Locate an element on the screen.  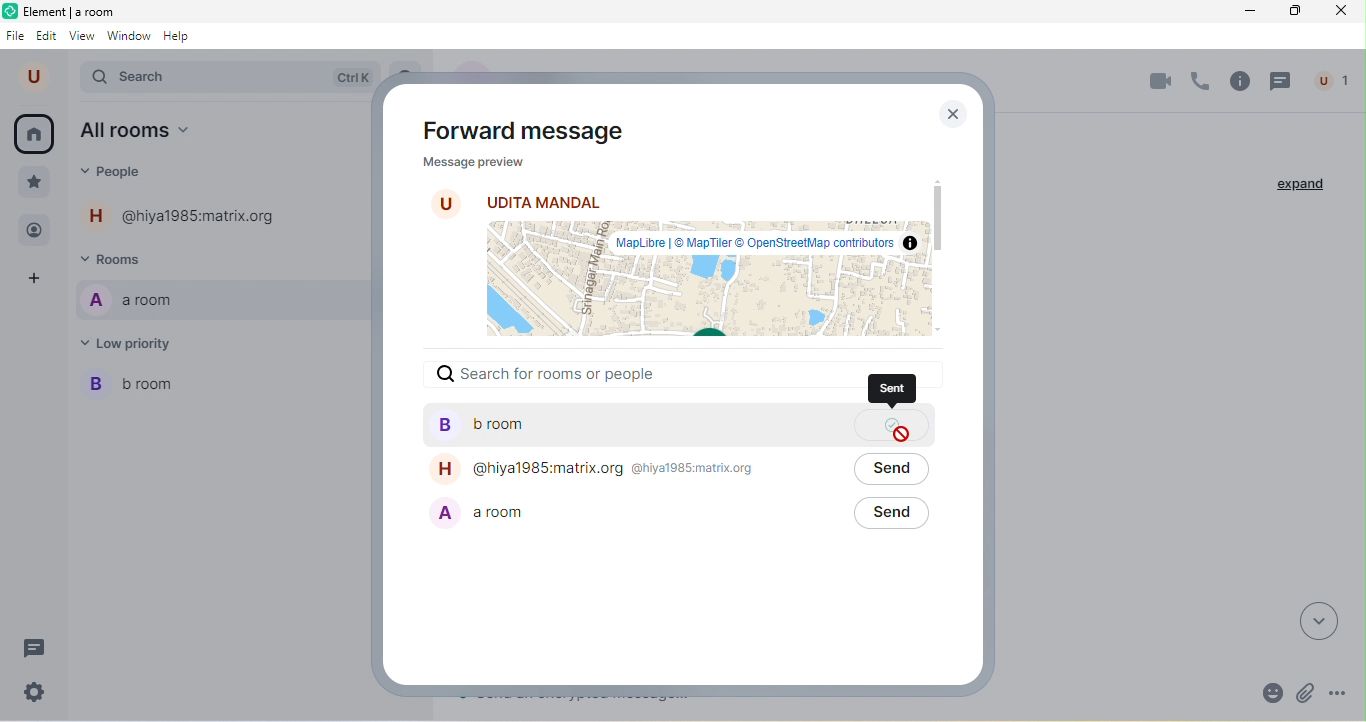
minimize is located at coordinates (1246, 11).